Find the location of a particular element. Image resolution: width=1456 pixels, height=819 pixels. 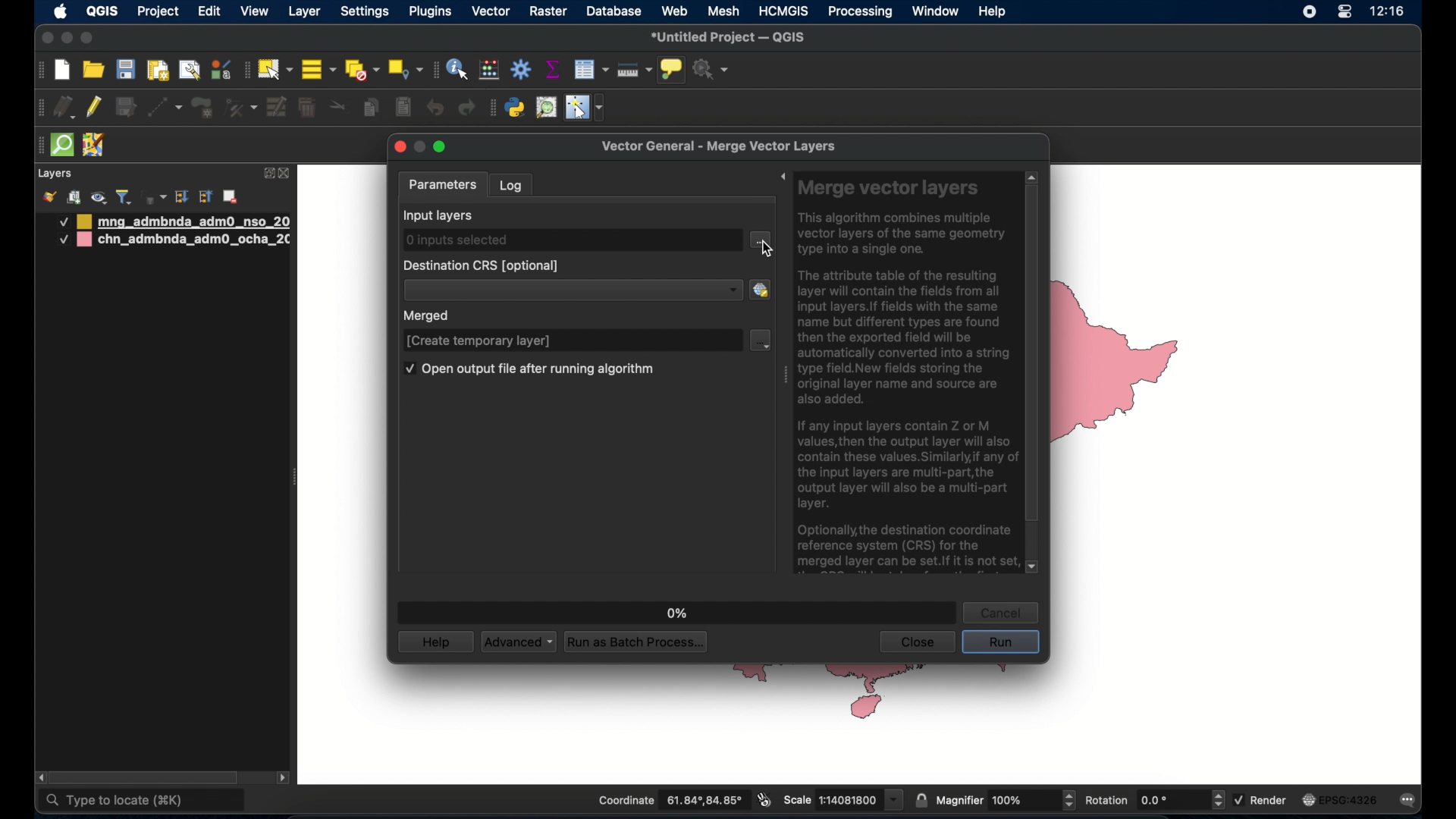

merged is located at coordinates (429, 317).